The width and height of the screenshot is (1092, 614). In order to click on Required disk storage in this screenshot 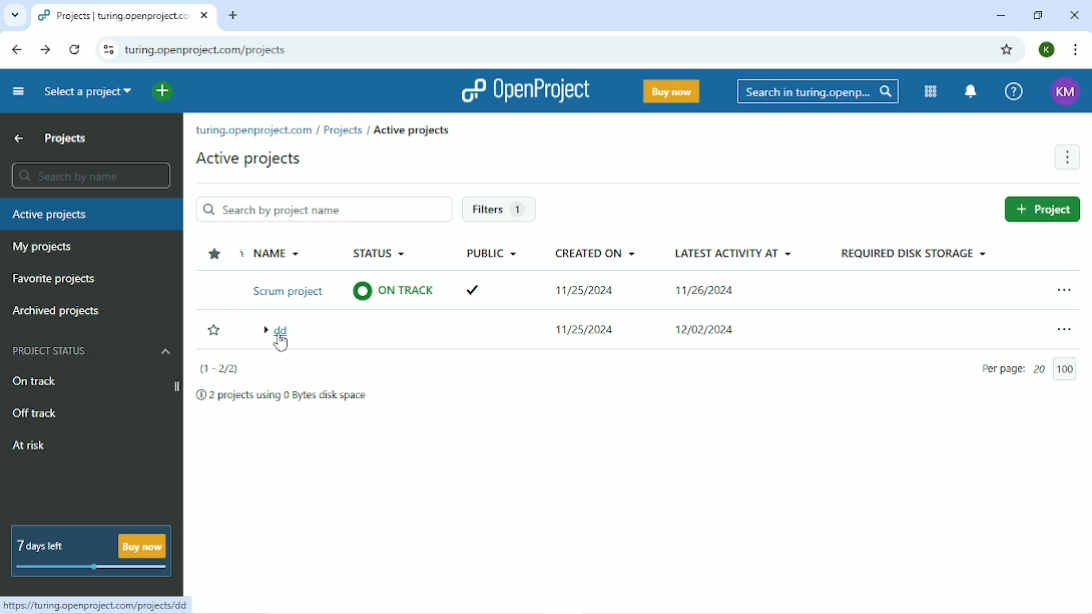, I will do `click(909, 254)`.